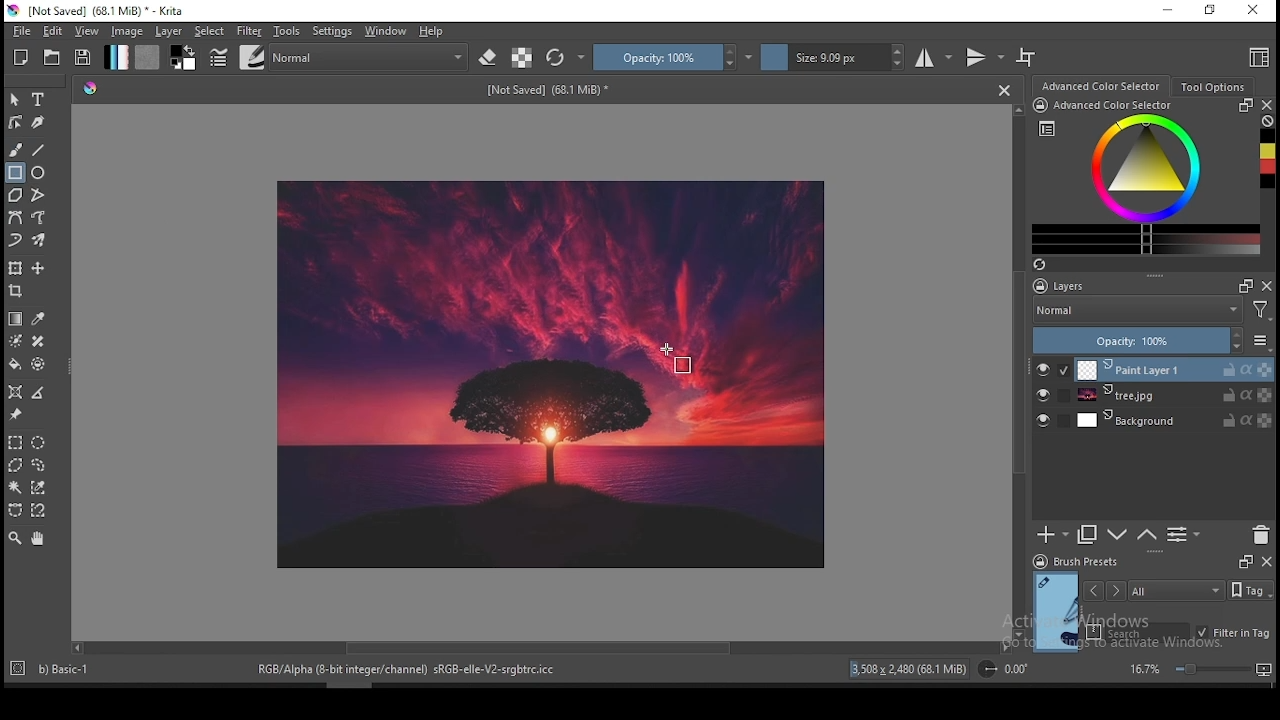 This screenshot has width=1280, height=720. I want to click on close docker, so click(1266, 562).